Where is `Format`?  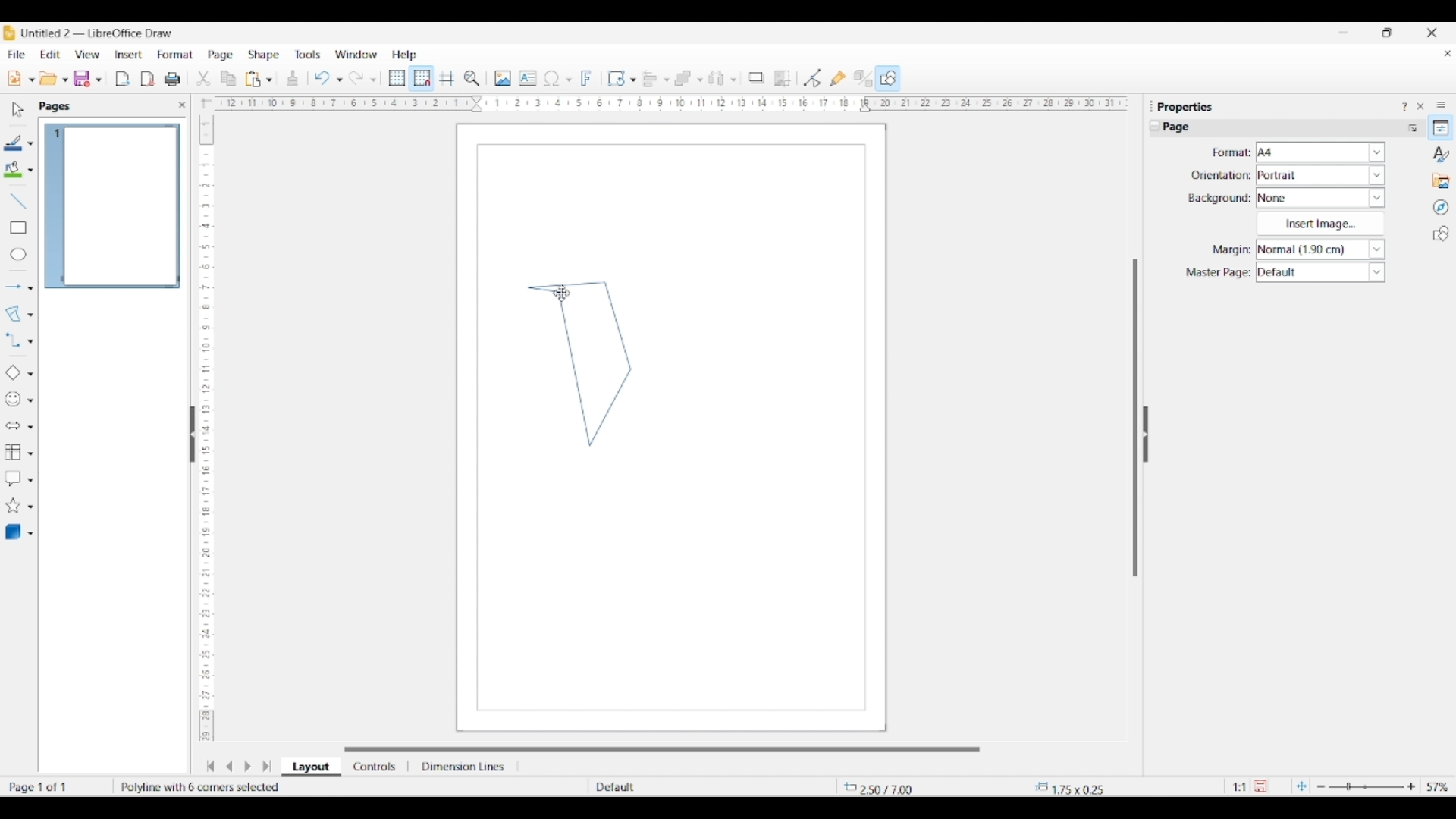
Format is located at coordinates (176, 55).